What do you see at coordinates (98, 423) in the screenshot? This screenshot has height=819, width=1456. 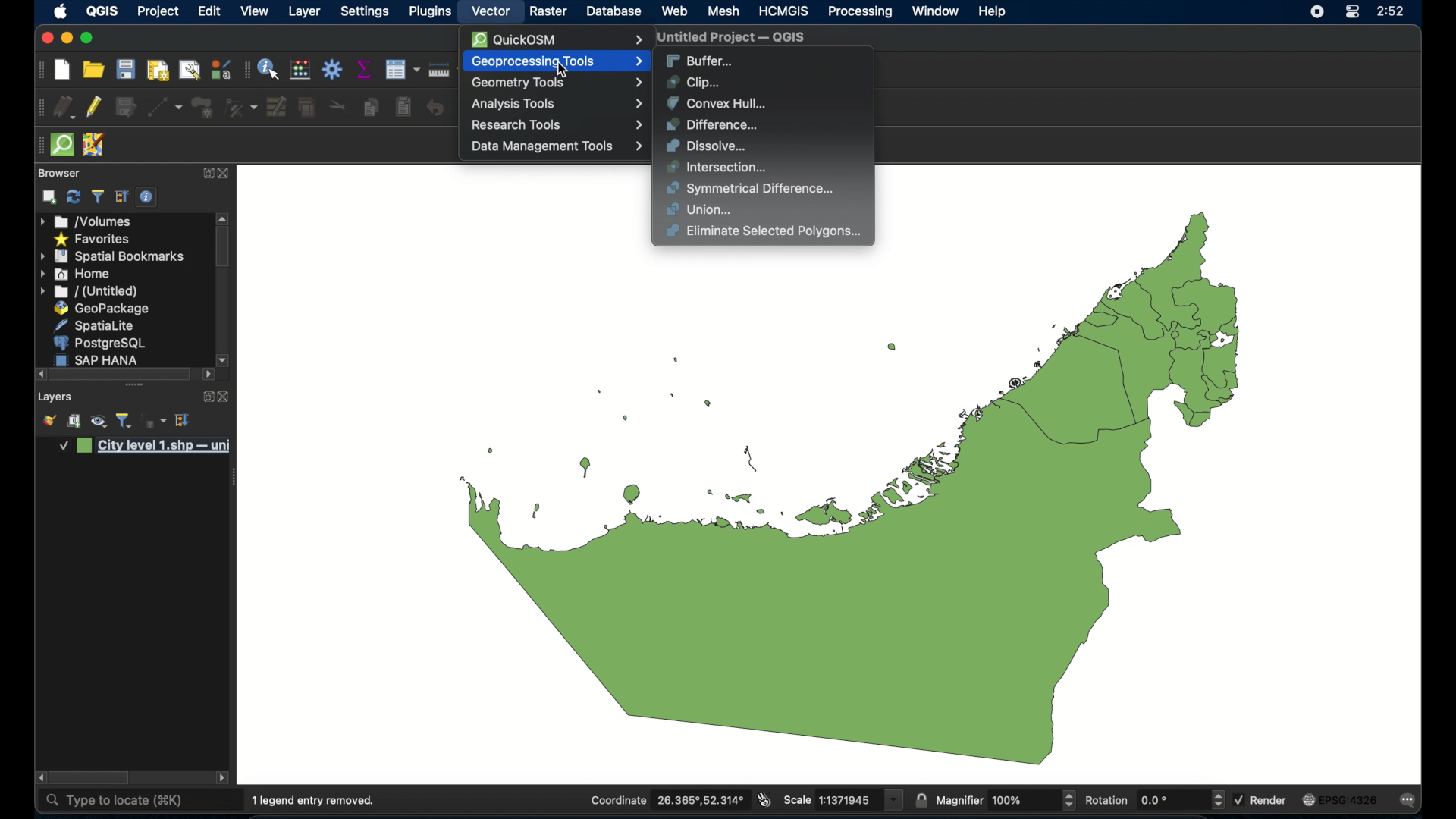 I see `manage map theme` at bounding box center [98, 423].